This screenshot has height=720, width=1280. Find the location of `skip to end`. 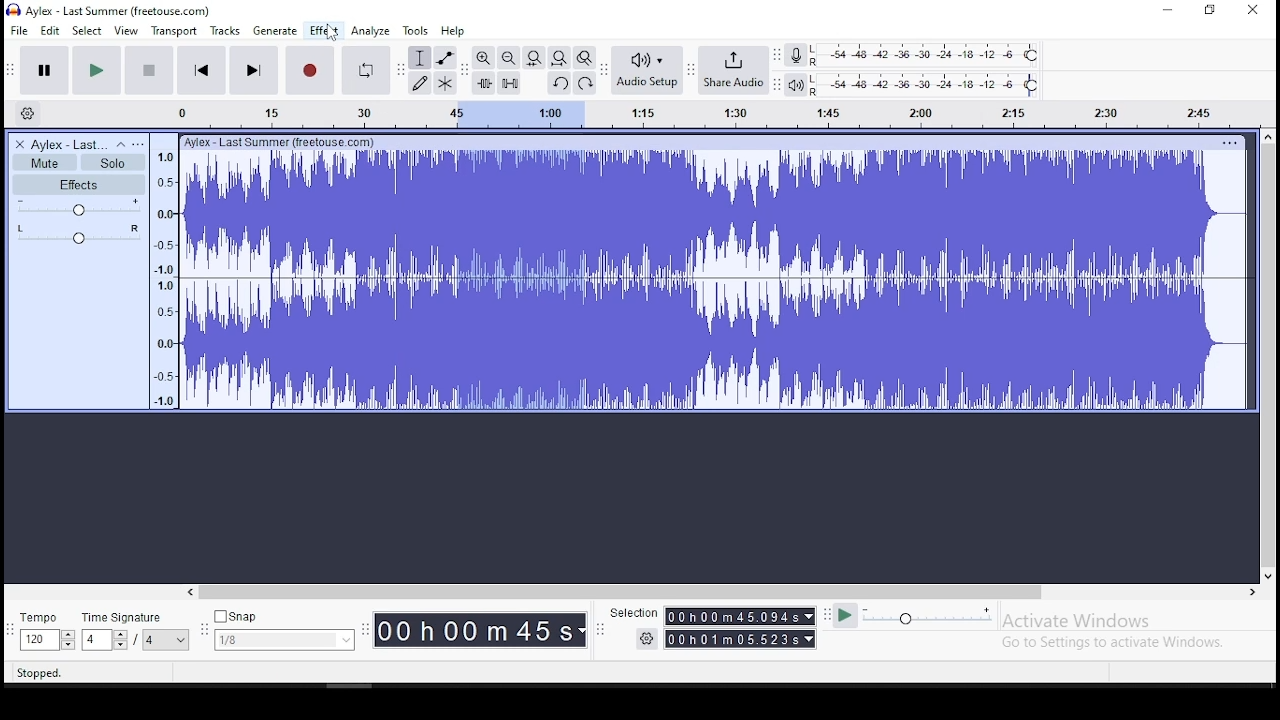

skip to end is located at coordinates (254, 71).